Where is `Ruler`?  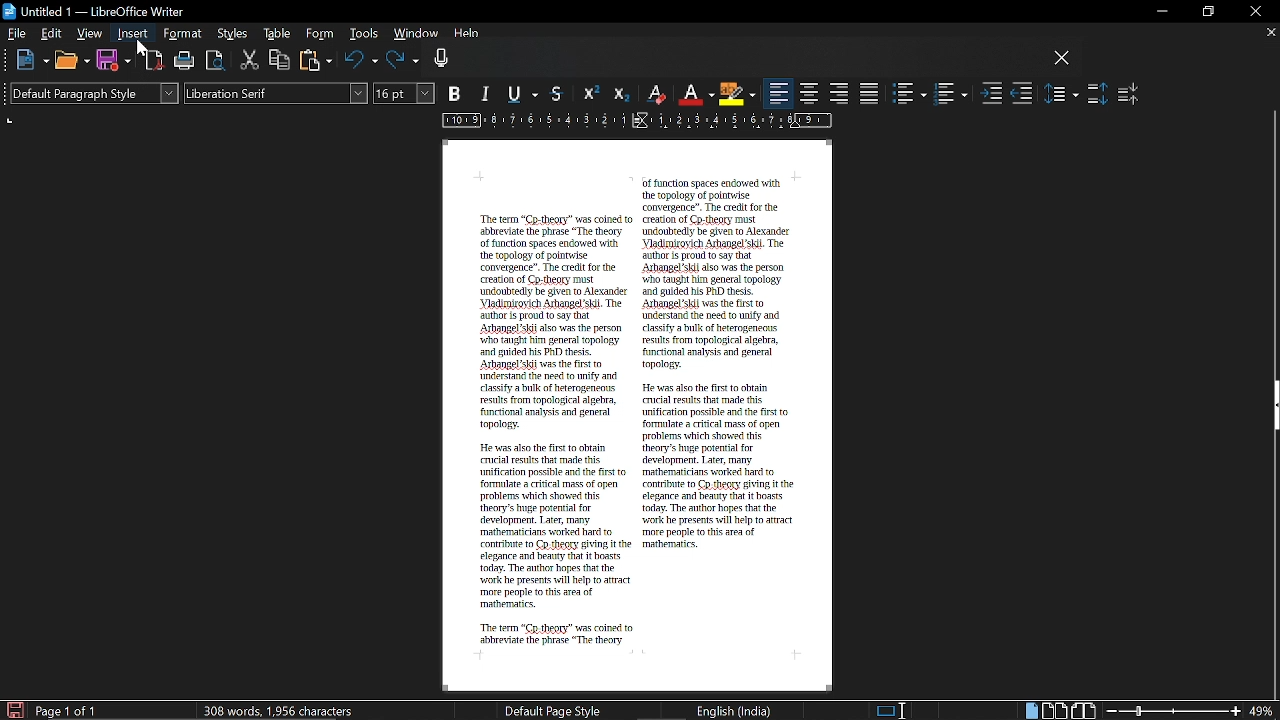
Ruler is located at coordinates (633, 122).